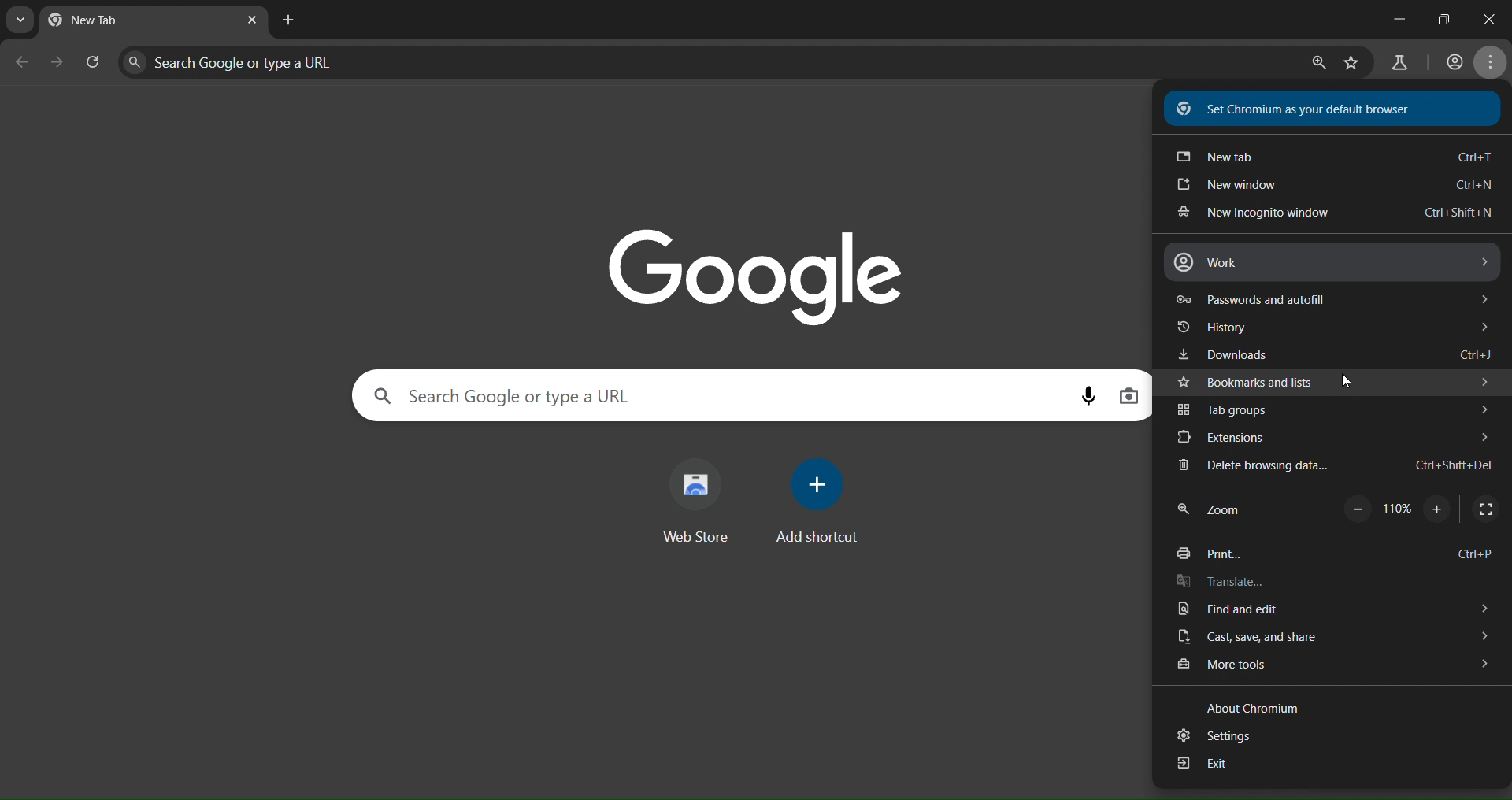 This screenshot has width=1512, height=800. Describe the element at coordinates (1332, 327) in the screenshot. I see `history` at that location.